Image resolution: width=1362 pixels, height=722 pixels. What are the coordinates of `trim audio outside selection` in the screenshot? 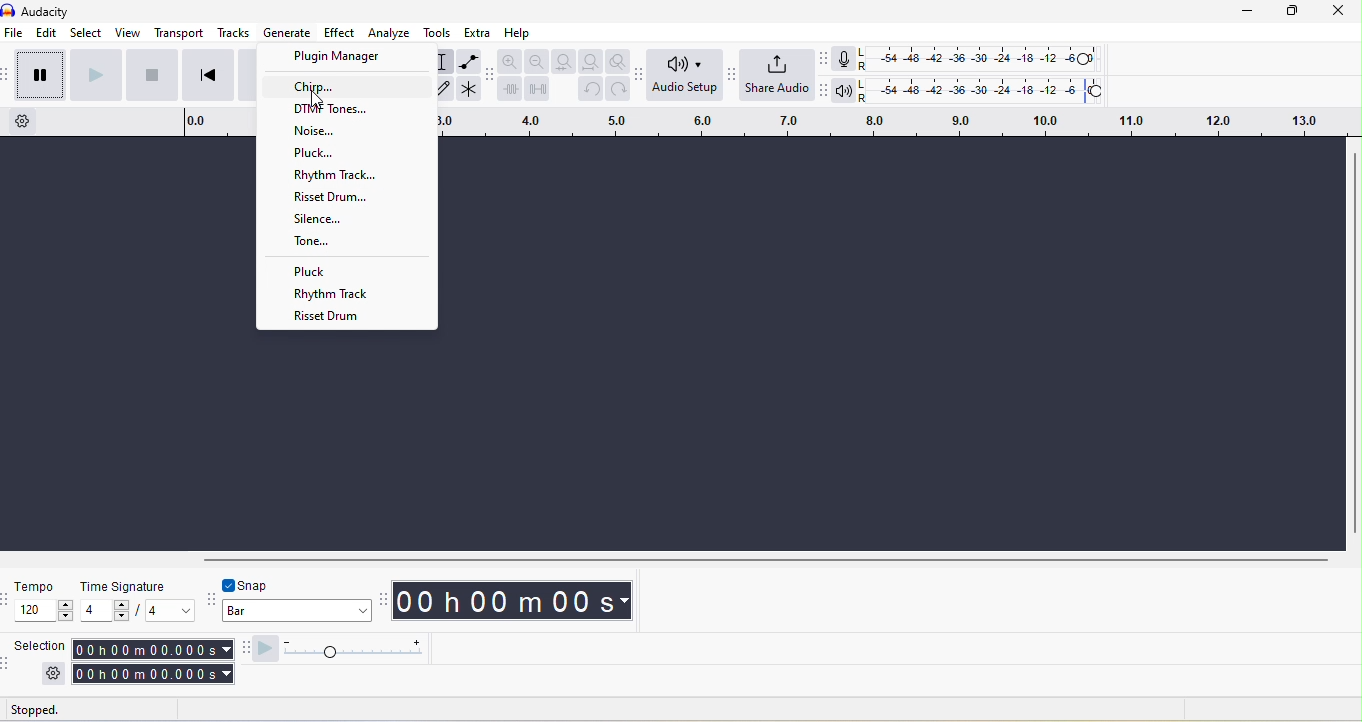 It's located at (510, 88).